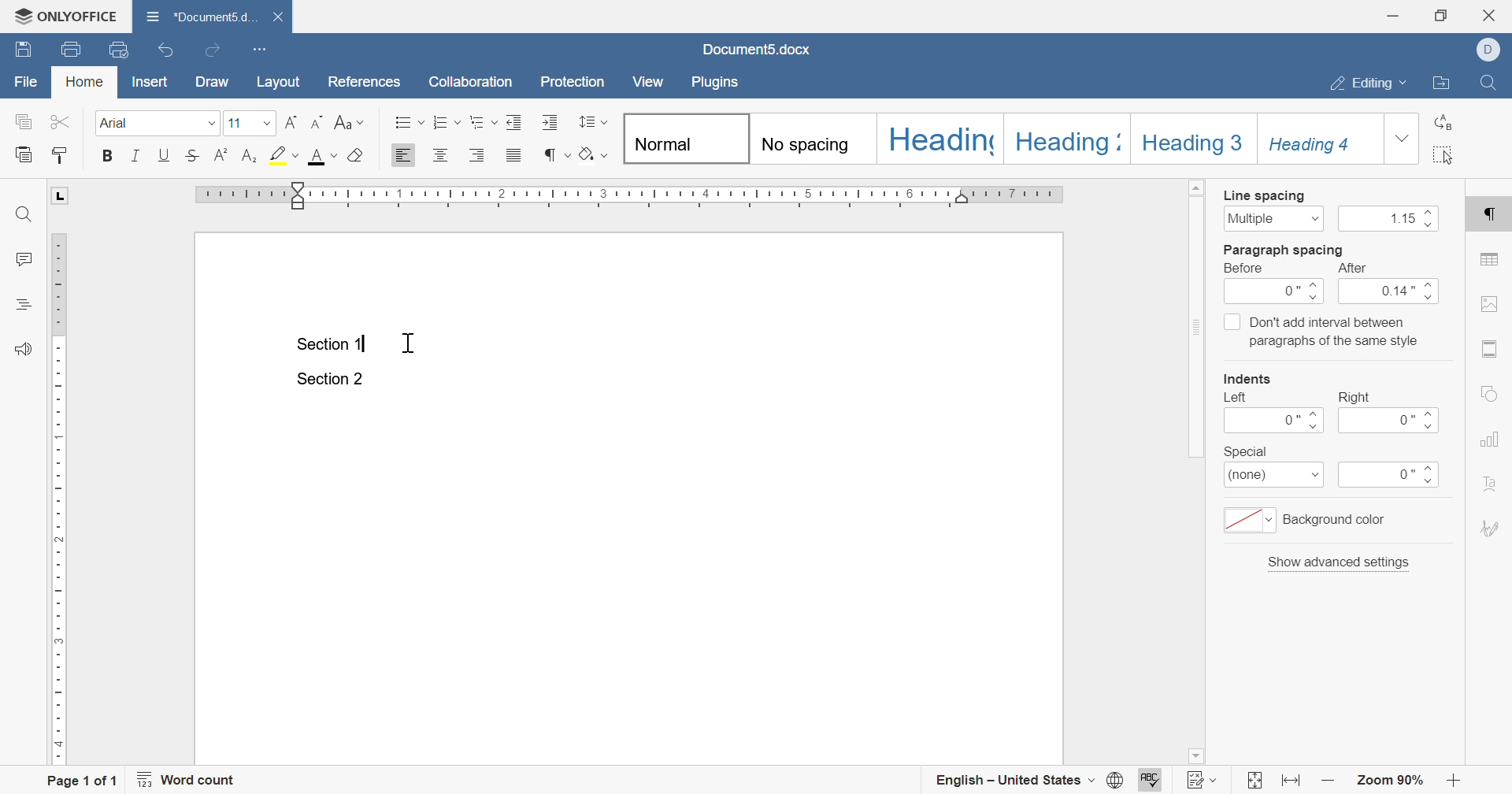 This screenshot has width=1512, height=794. Describe the element at coordinates (1293, 783) in the screenshot. I see `fit to width` at that location.